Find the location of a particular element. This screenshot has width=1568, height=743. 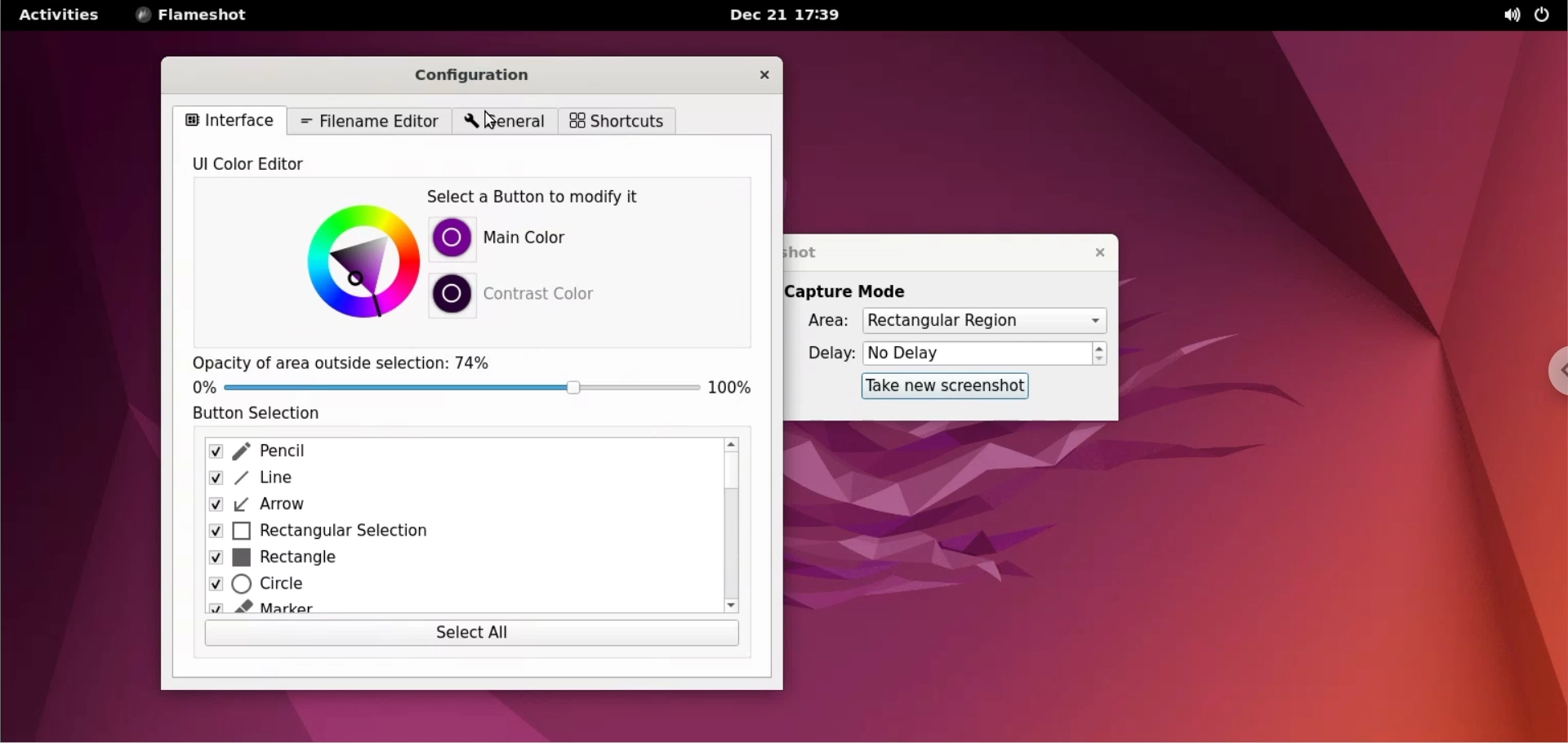

configuration  is located at coordinates (484, 73).